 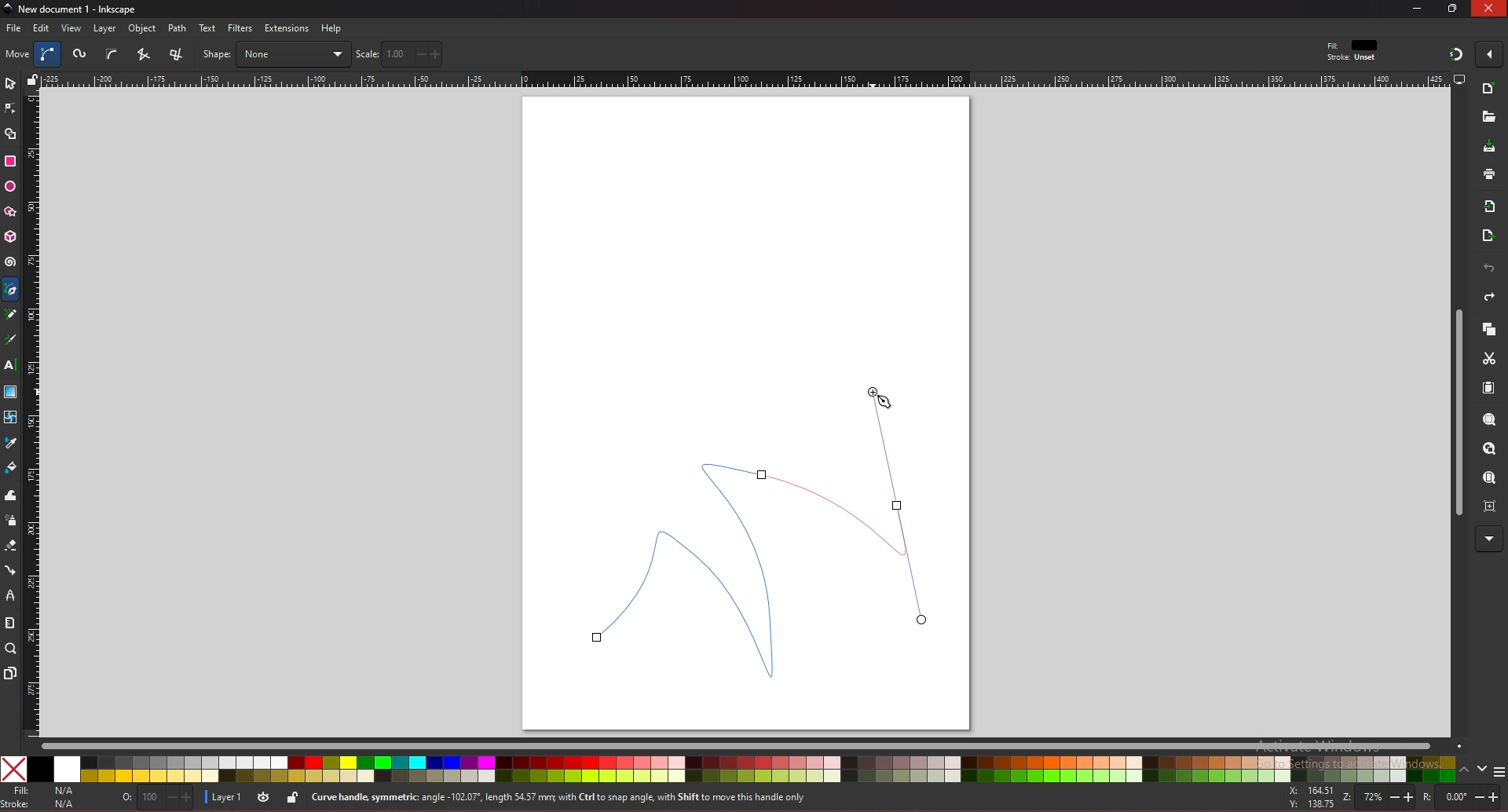 I want to click on object, so click(x=145, y=29).